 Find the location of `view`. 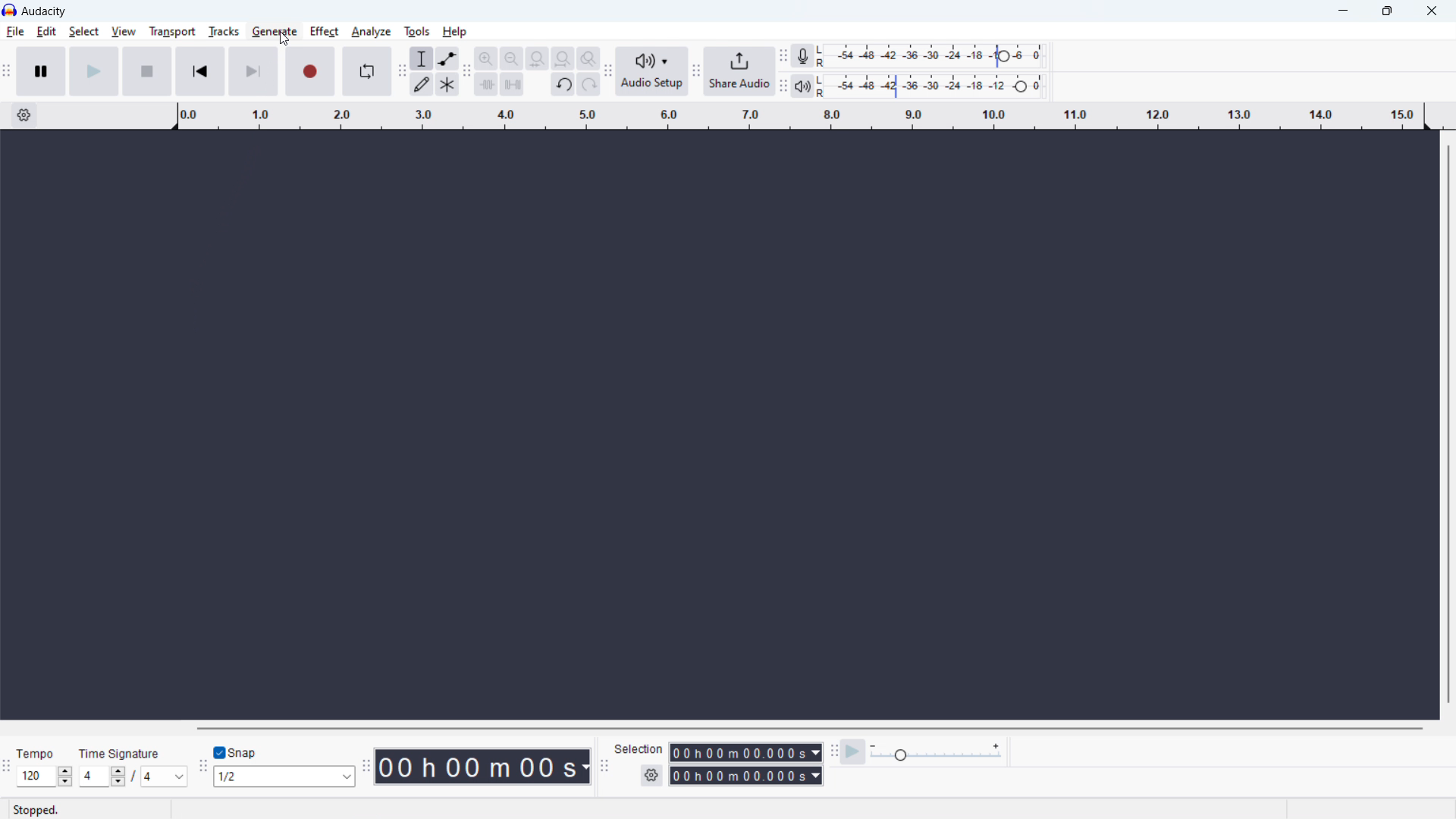

view is located at coordinates (124, 32).